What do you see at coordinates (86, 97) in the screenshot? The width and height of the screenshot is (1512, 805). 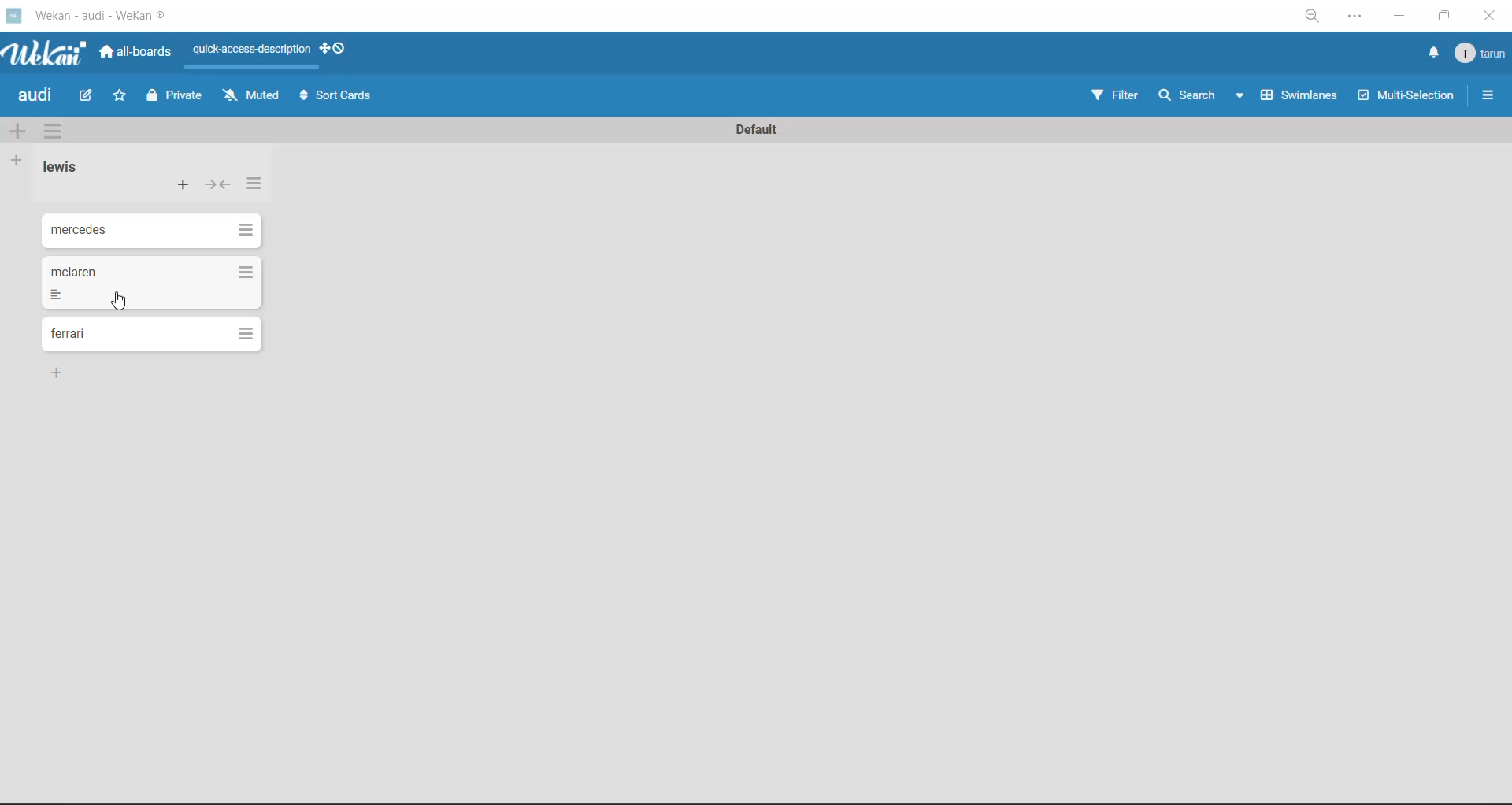 I see `edit` at bounding box center [86, 97].